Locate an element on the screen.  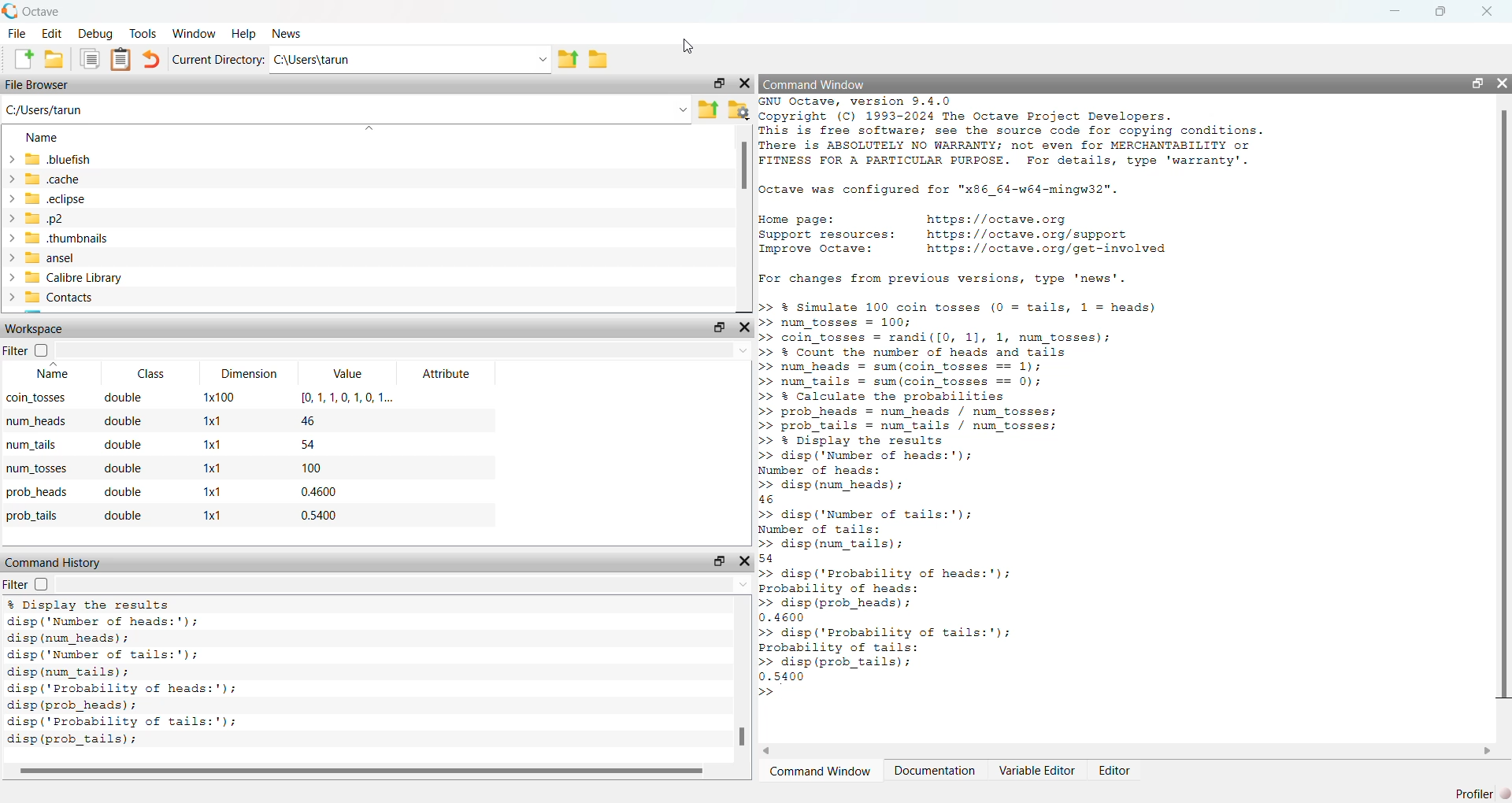
1x100 is located at coordinates (220, 397).